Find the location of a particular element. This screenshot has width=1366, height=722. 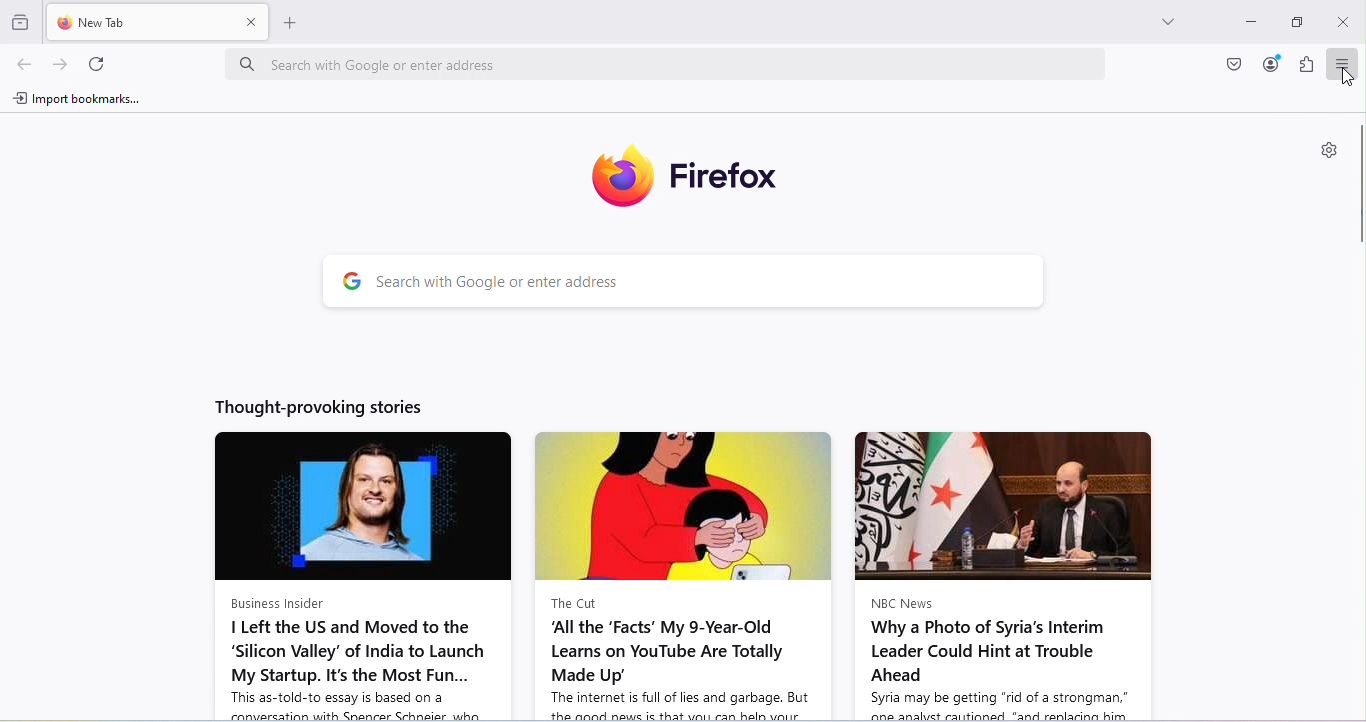

Go back one page is located at coordinates (22, 66).